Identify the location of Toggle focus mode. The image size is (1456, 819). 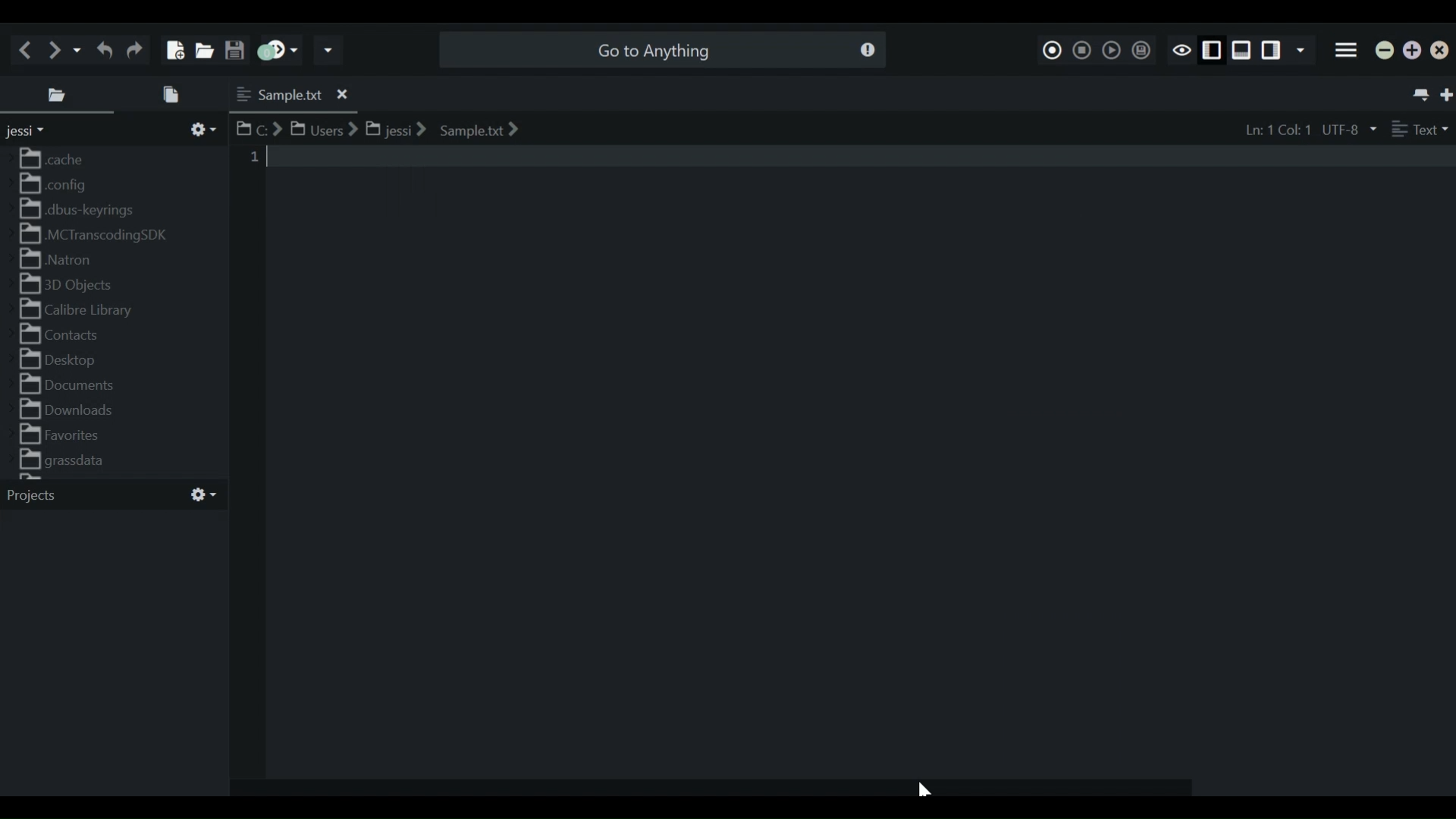
(1179, 50).